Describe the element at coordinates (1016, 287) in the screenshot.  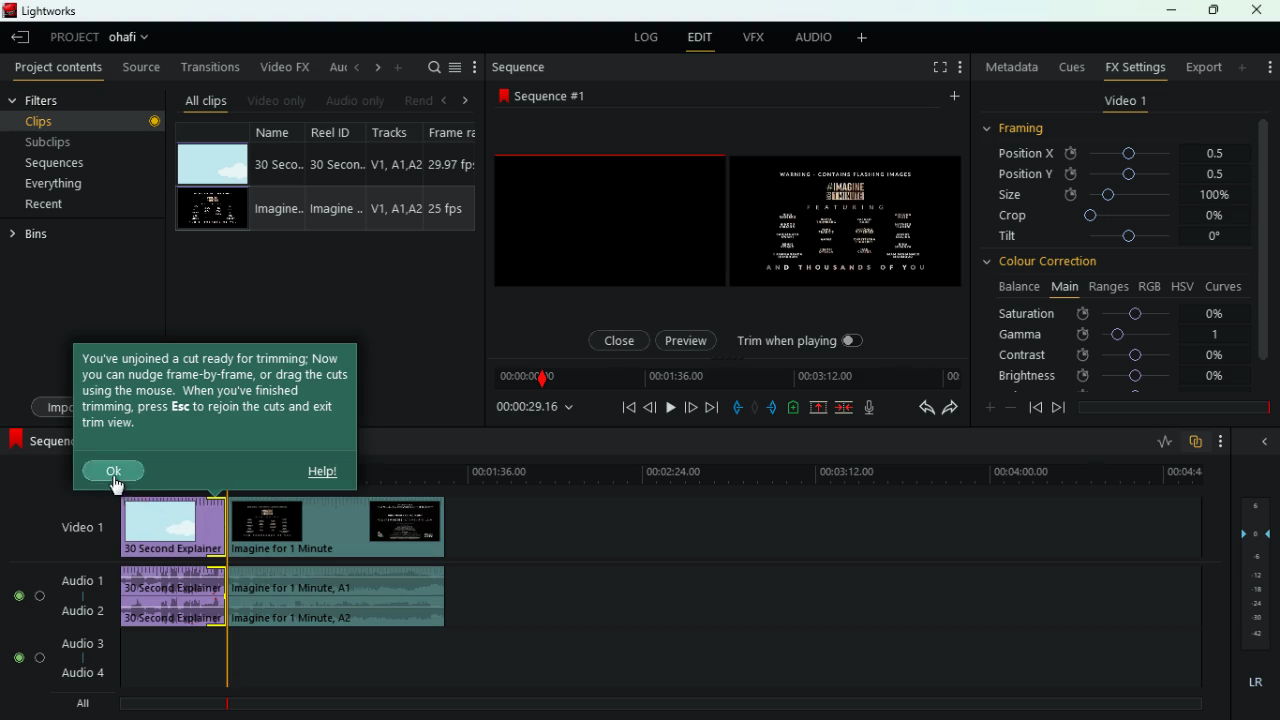
I see `balance` at that location.